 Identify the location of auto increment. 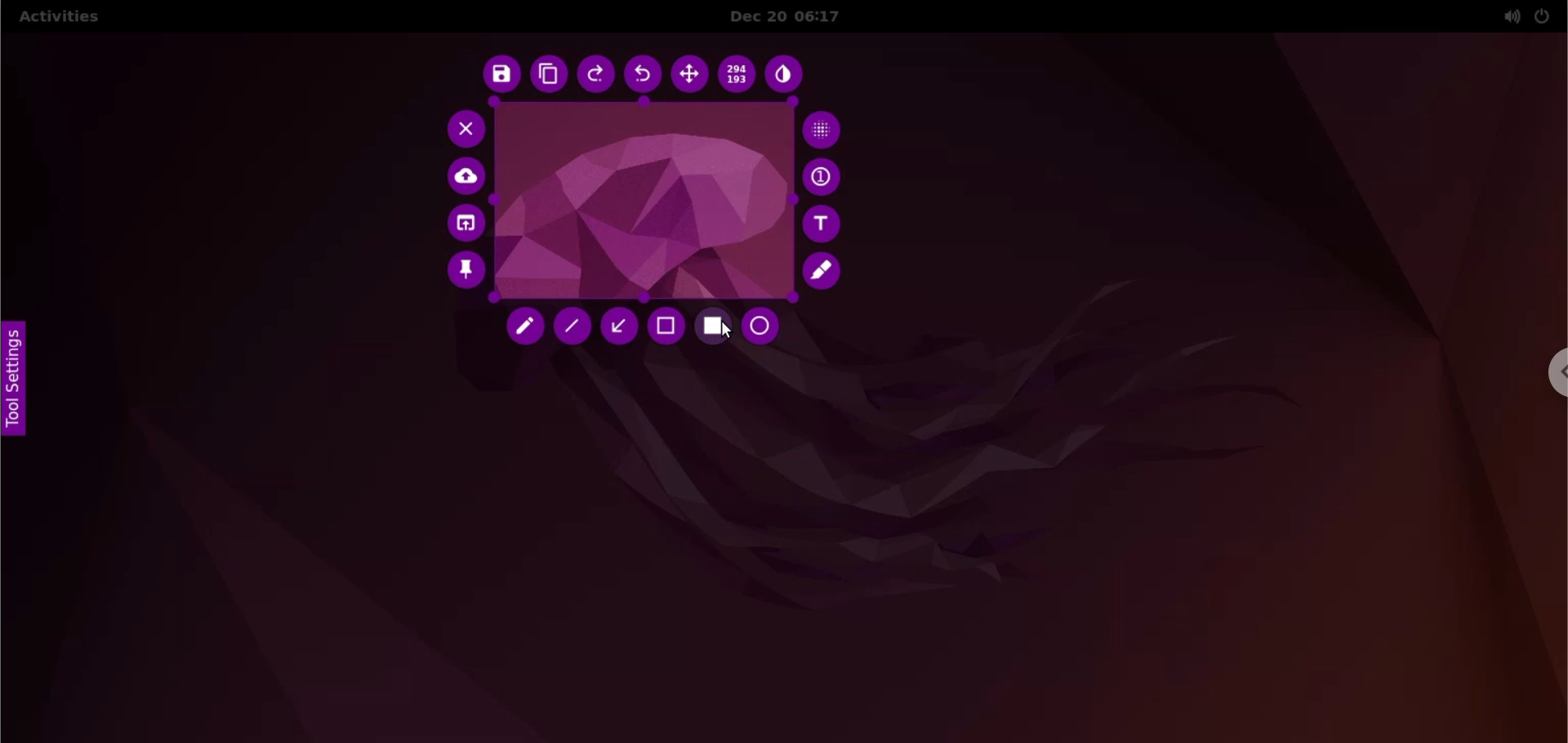
(824, 176).